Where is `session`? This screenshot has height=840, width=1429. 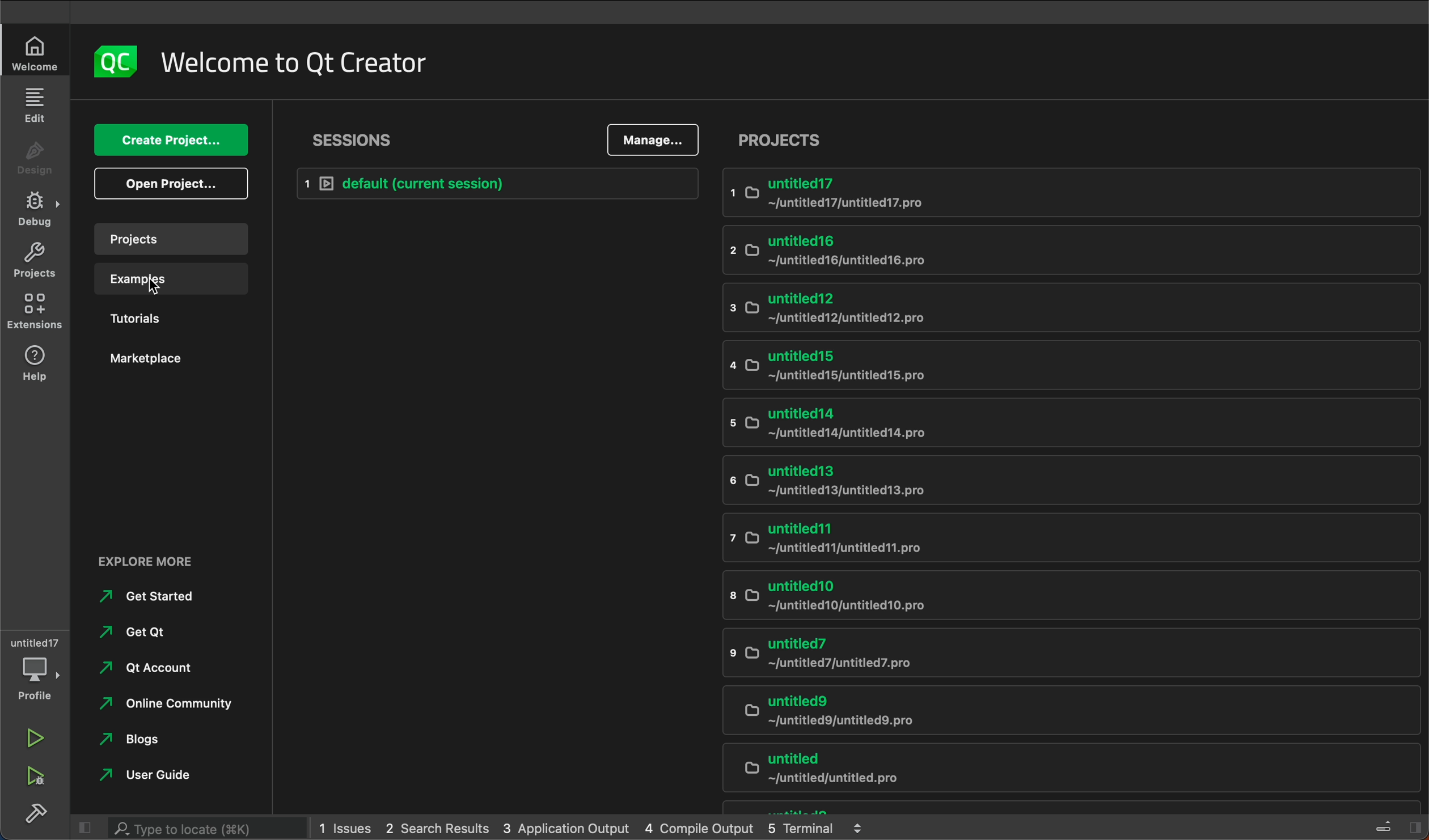 session is located at coordinates (360, 139).